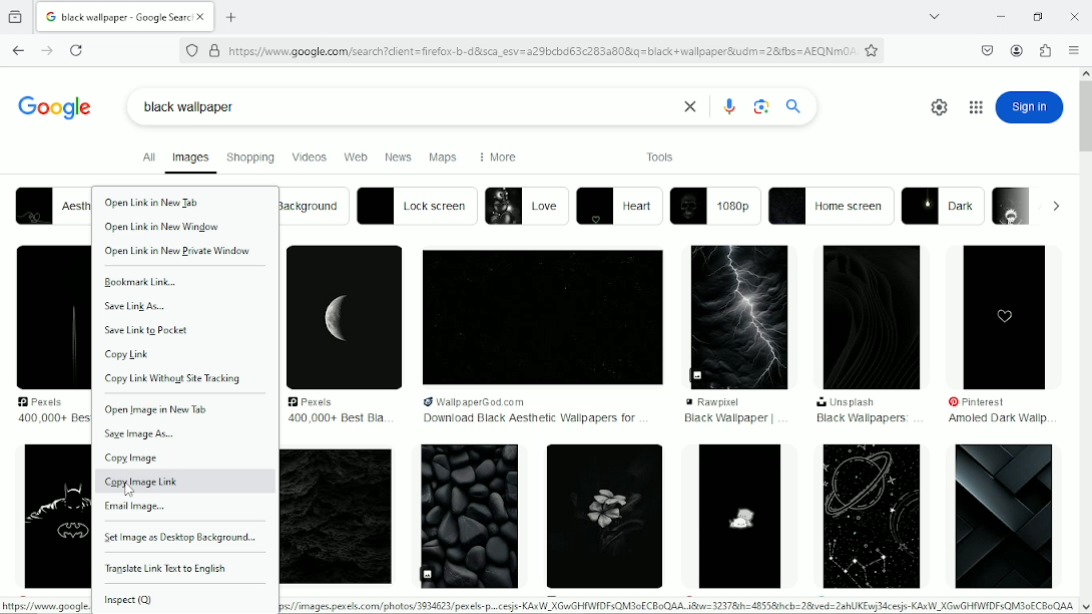 This screenshot has height=614, width=1092. I want to click on go back, so click(17, 48).